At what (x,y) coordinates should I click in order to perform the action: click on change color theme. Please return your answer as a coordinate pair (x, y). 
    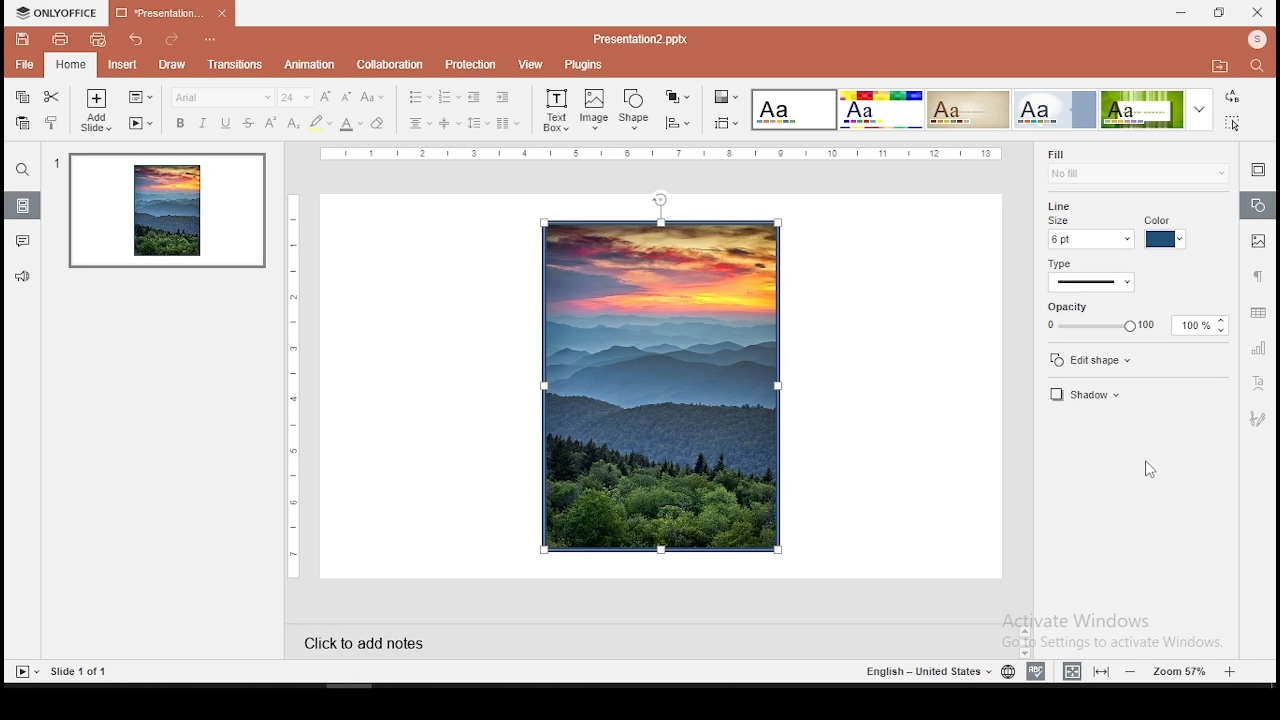
    Looking at the image, I should click on (726, 96).